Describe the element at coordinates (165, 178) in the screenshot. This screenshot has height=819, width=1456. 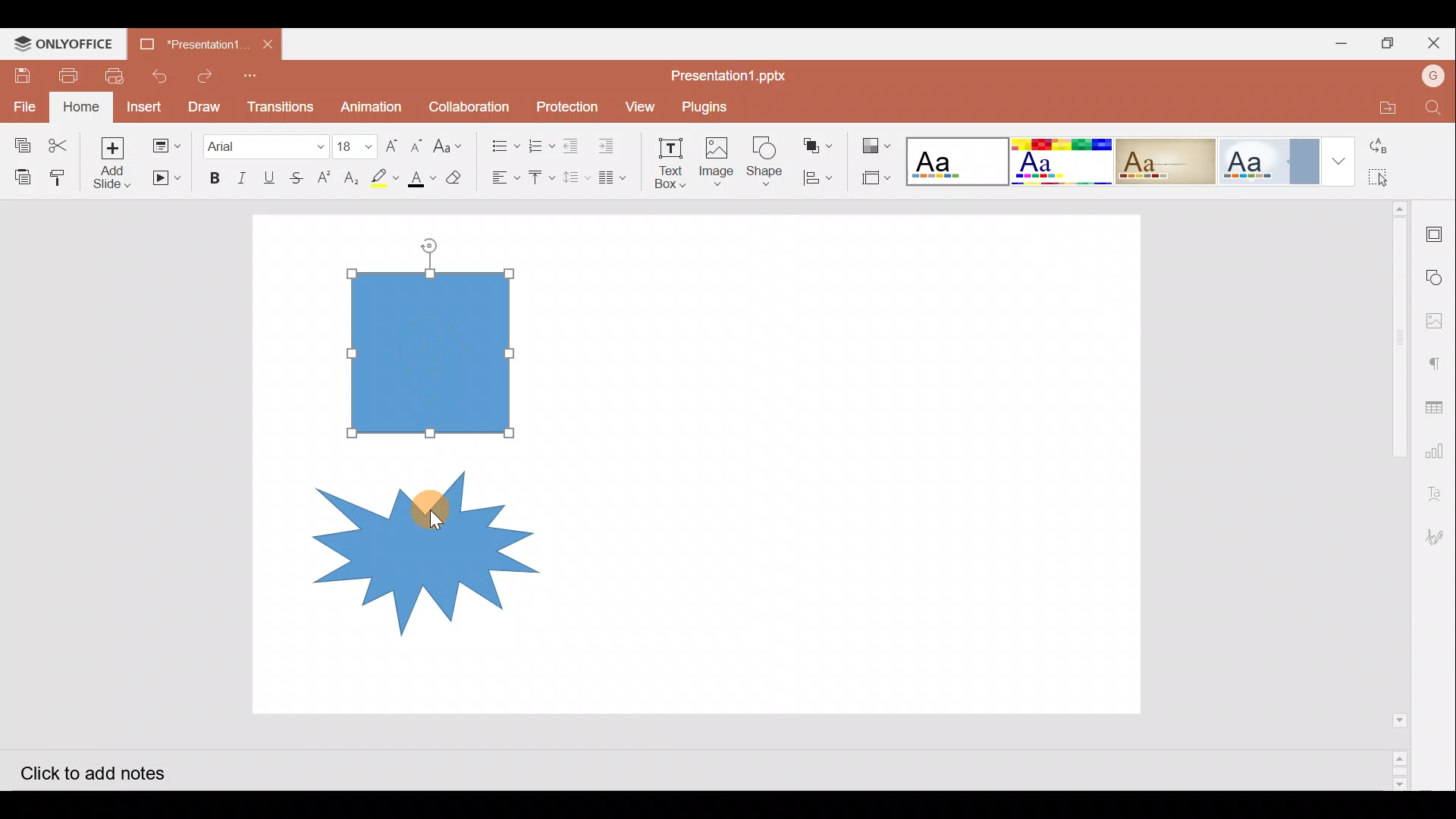
I see `Start slideshow` at that location.